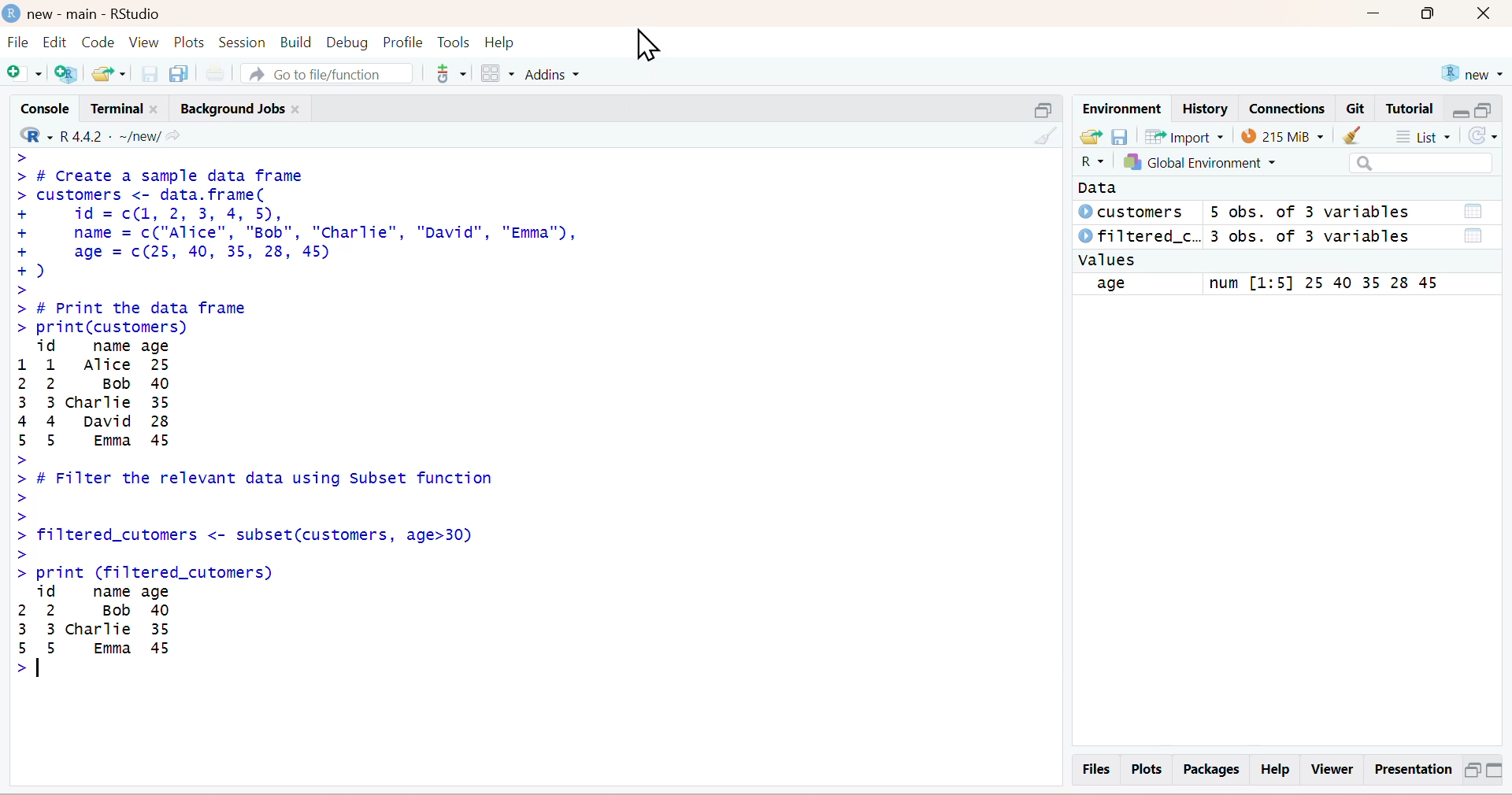 The width and height of the screenshot is (1512, 795). Describe the element at coordinates (1042, 135) in the screenshot. I see `Clear Console` at that location.